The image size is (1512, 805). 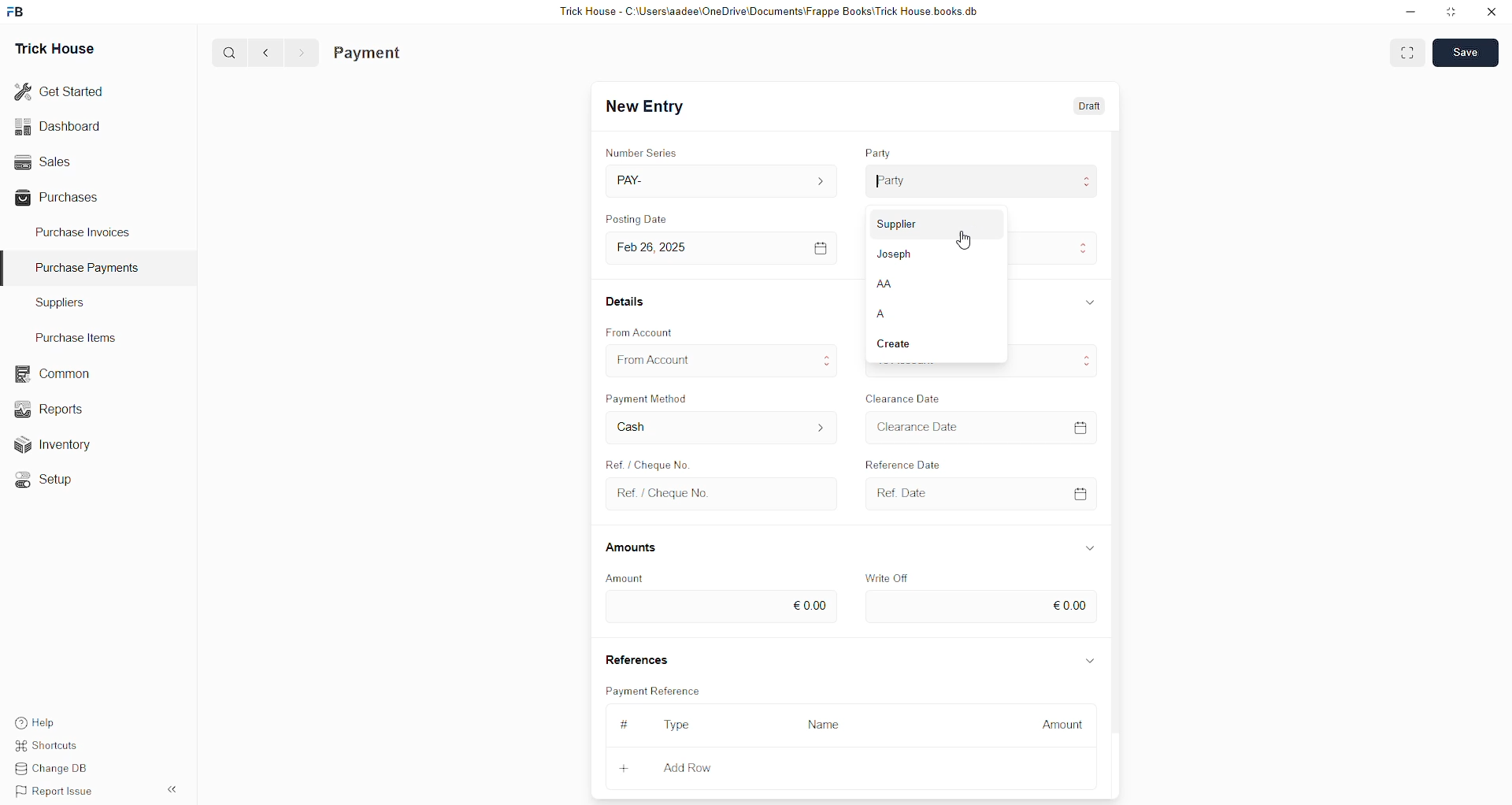 What do you see at coordinates (81, 235) in the screenshot?
I see `Purchase Invoices` at bounding box center [81, 235].